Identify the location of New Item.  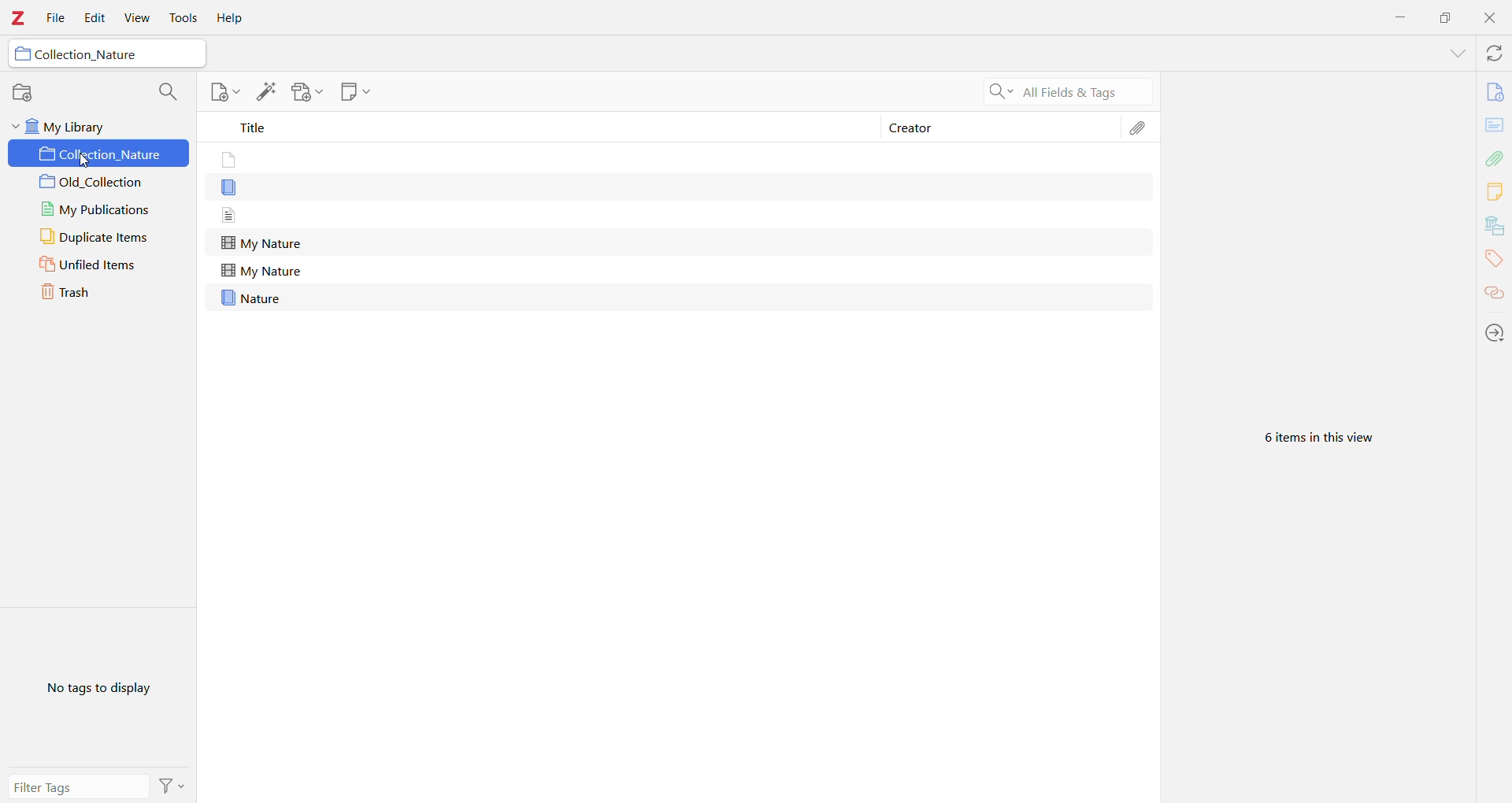
(222, 94).